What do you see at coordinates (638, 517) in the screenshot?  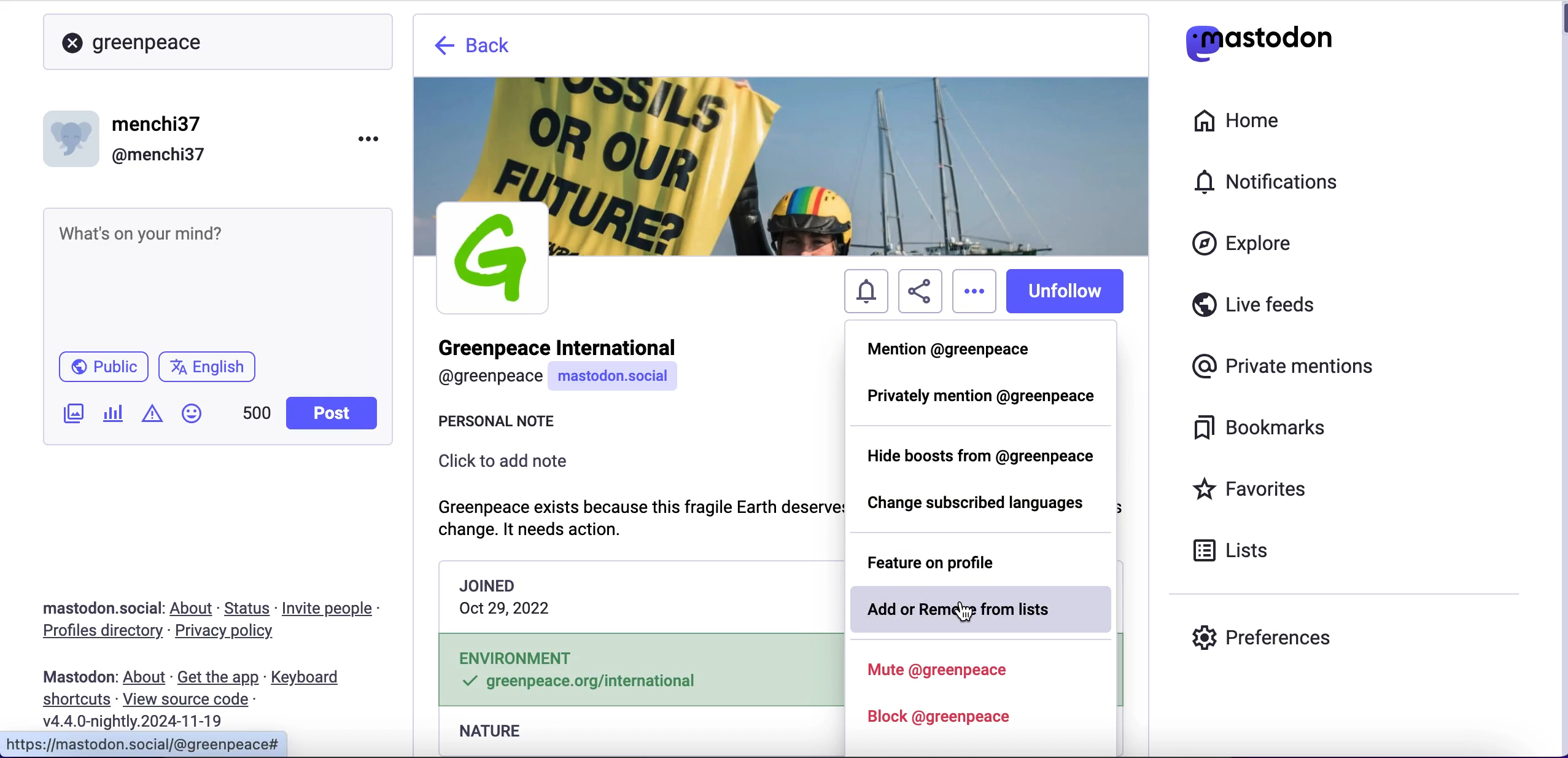 I see `note` at bounding box center [638, 517].